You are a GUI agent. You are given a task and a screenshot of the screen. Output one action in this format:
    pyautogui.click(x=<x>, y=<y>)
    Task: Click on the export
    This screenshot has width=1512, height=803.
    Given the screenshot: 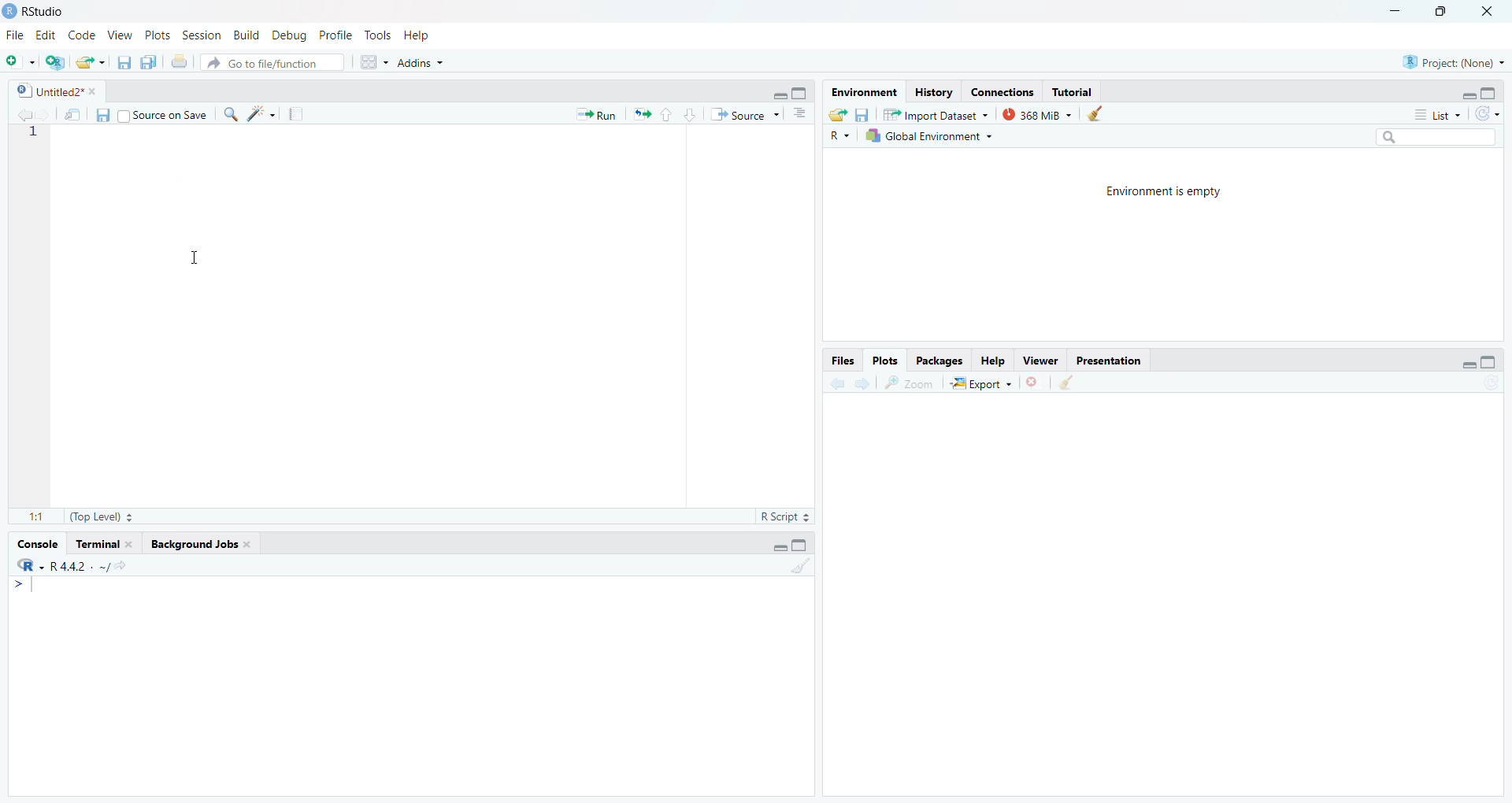 What is the action you would take?
    pyautogui.click(x=646, y=117)
    